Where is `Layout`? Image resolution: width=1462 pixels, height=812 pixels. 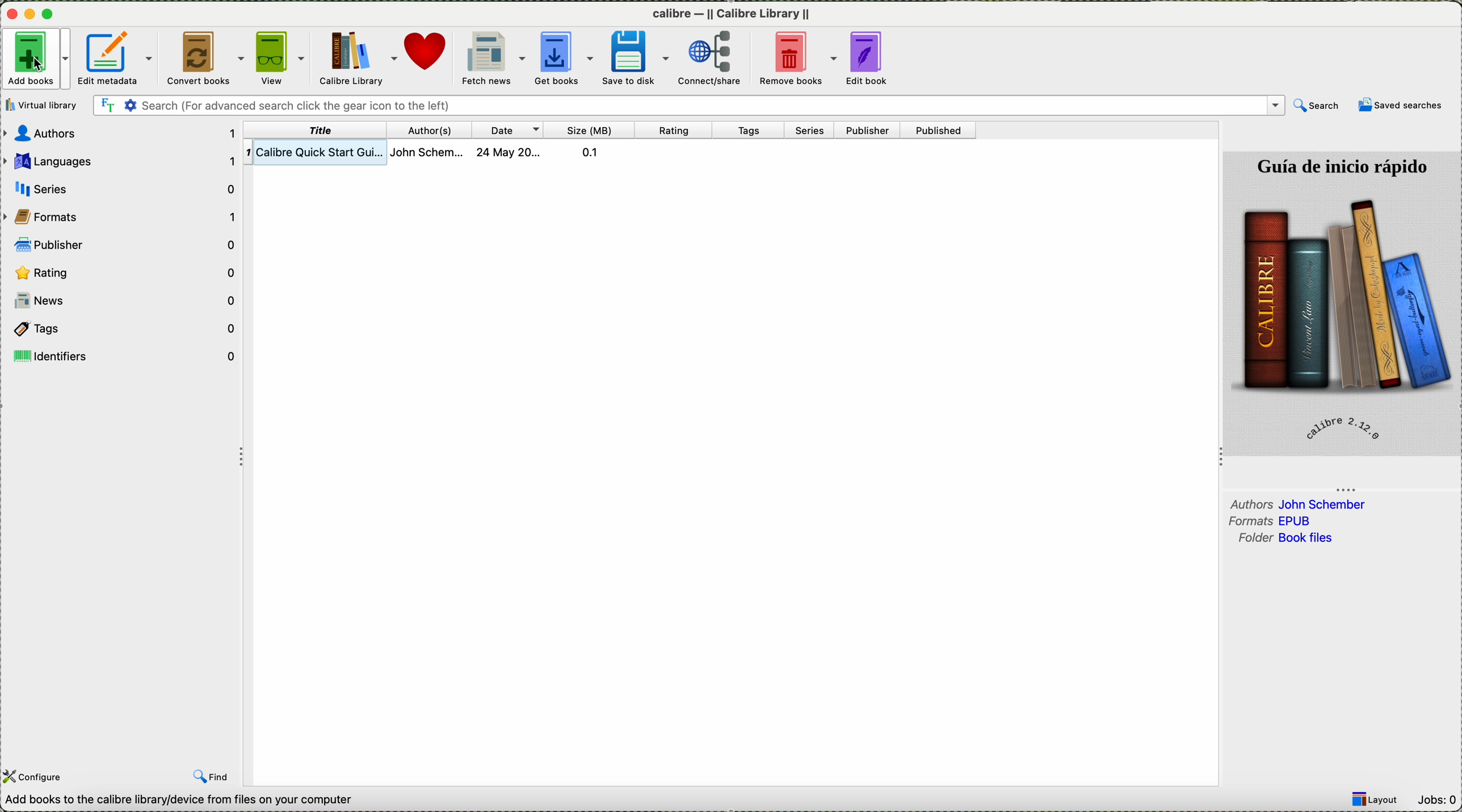 Layout is located at coordinates (1376, 800).